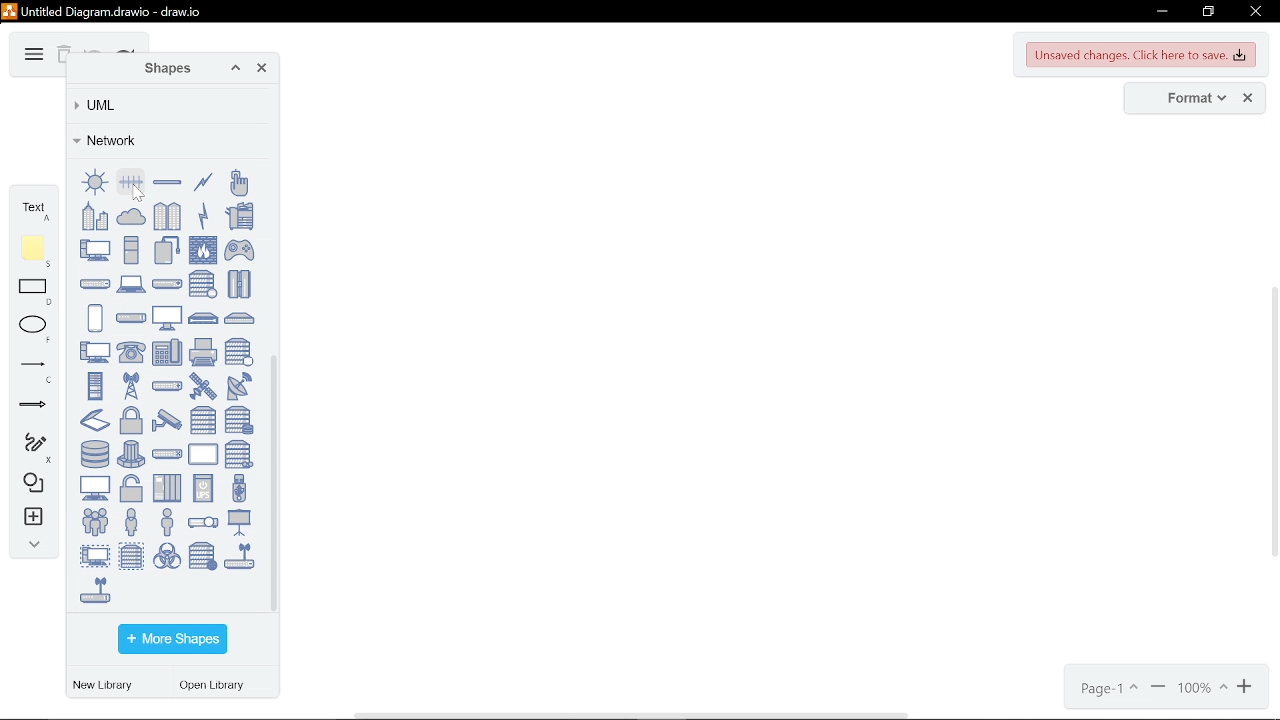 The width and height of the screenshot is (1280, 720). I want to click on vertical scroll bar, so click(1272, 424).